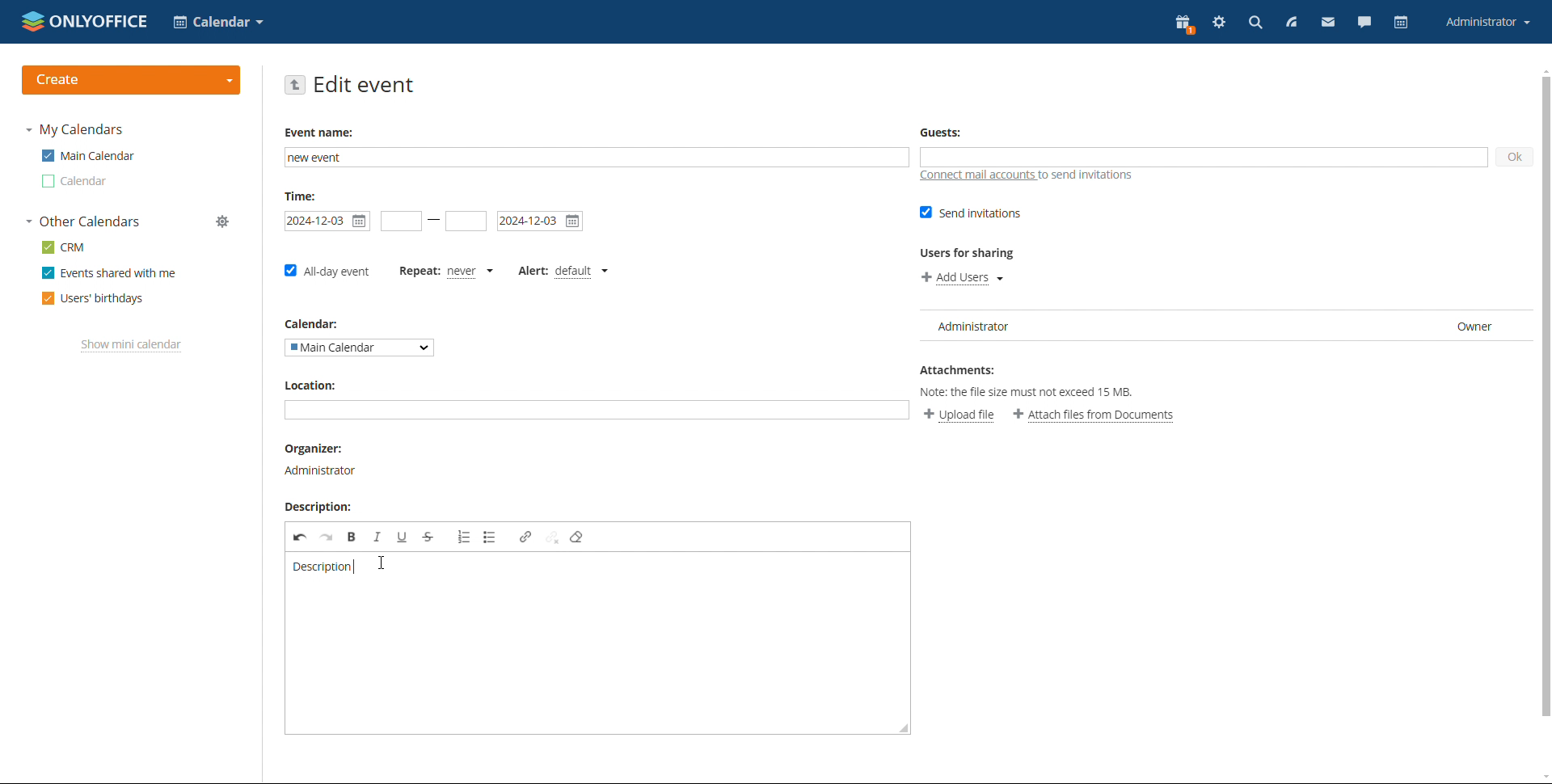 The width and height of the screenshot is (1552, 784). Describe the element at coordinates (108, 272) in the screenshot. I see `events shared with me` at that location.